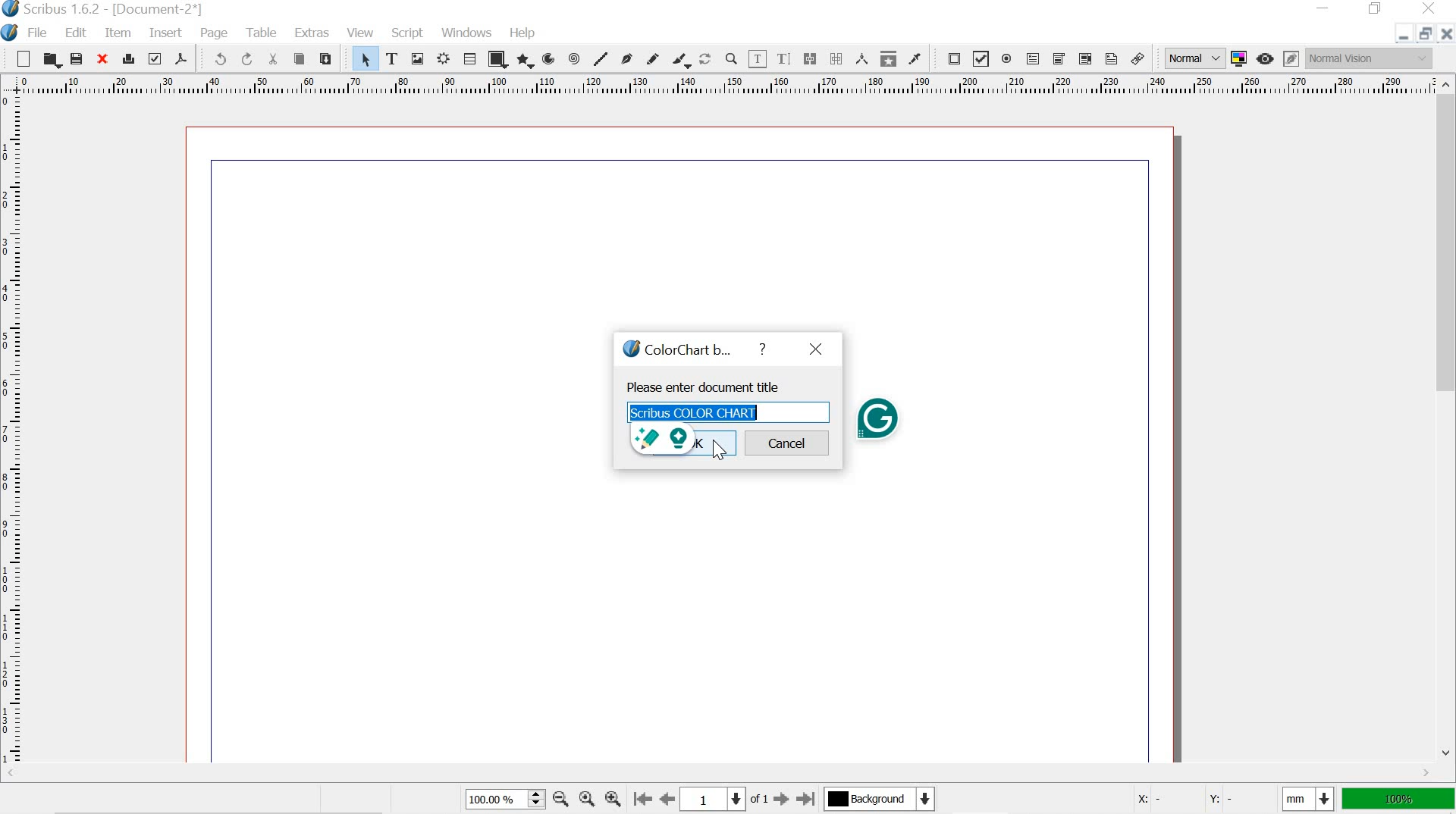 Image resolution: width=1456 pixels, height=814 pixels. I want to click on ruler, so click(715, 86).